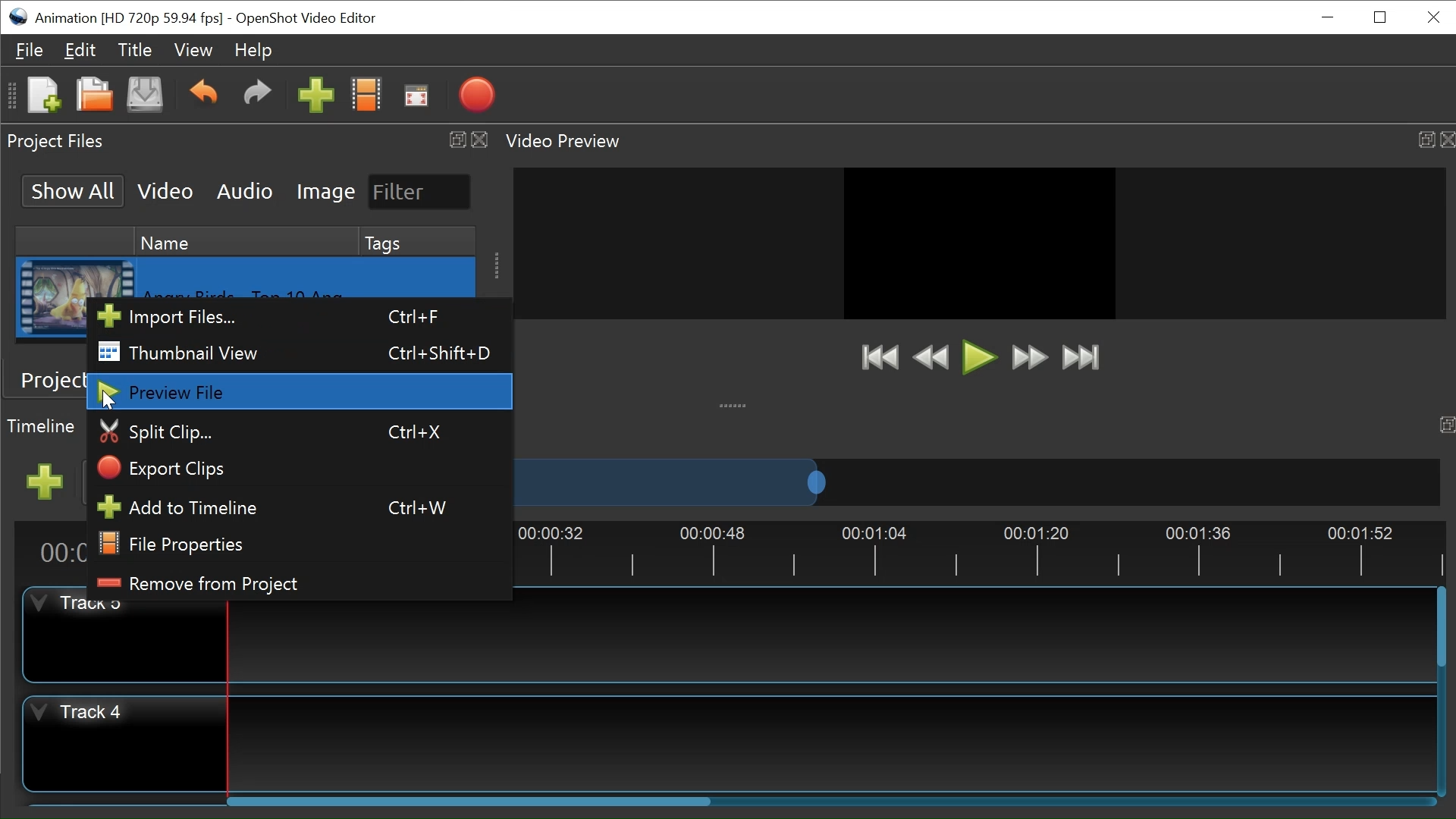 Image resolution: width=1456 pixels, height=819 pixels. I want to click on Project Files Panel, so click(55, 141).